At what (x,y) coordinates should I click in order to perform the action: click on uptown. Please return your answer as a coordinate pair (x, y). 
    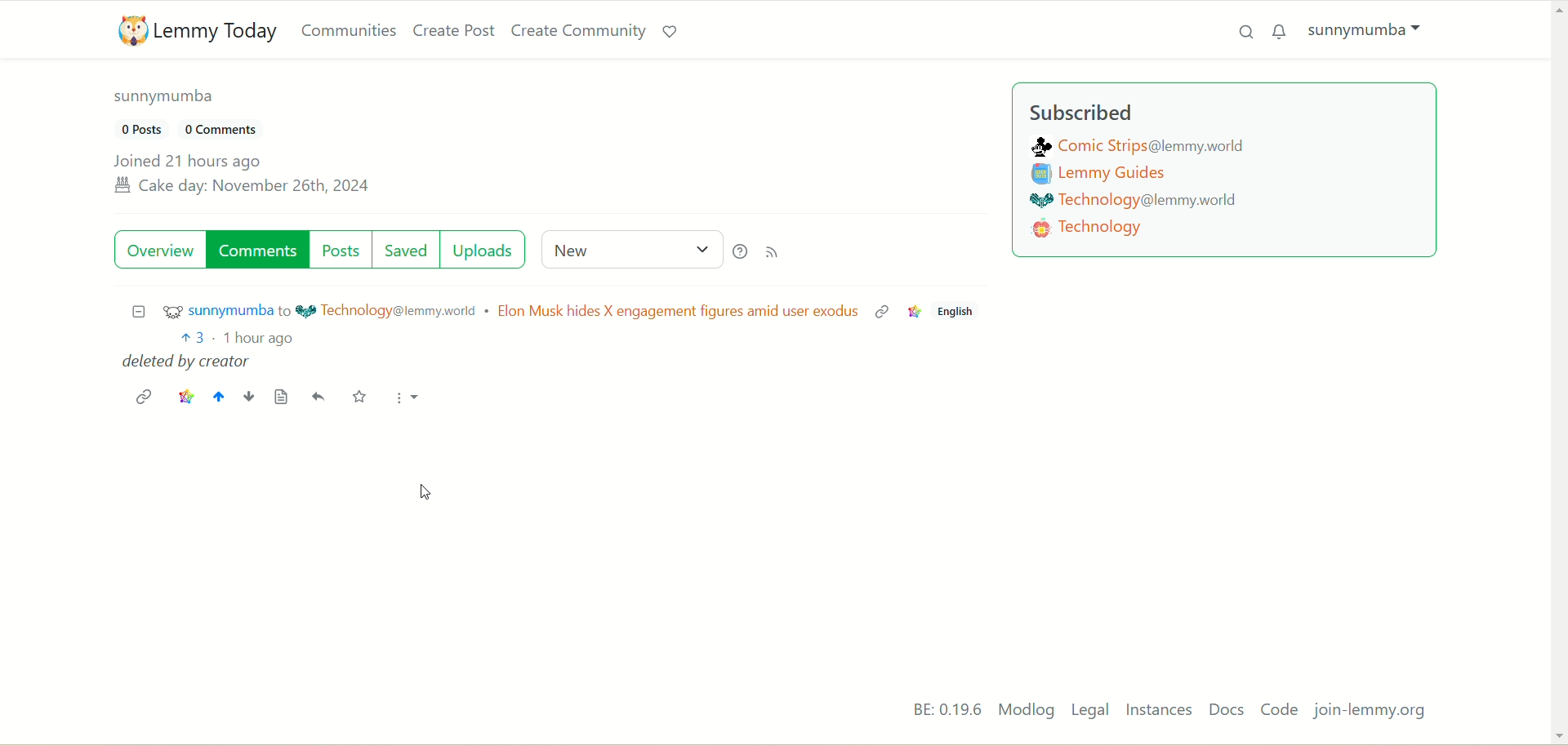
    Looking at the image, I should click on (217, 394).